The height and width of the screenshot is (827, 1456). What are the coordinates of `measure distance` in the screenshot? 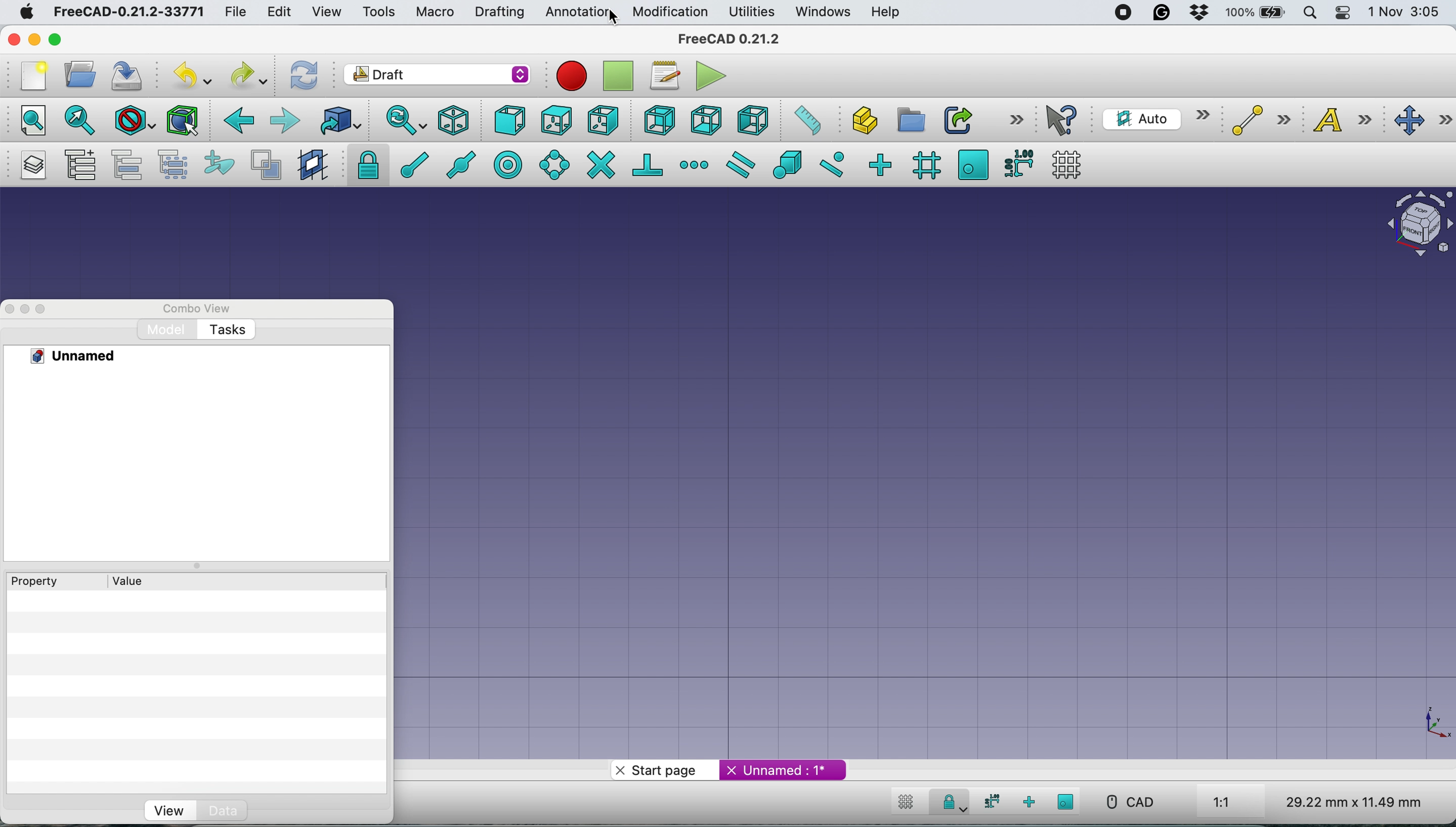 It's located at (803, 120).